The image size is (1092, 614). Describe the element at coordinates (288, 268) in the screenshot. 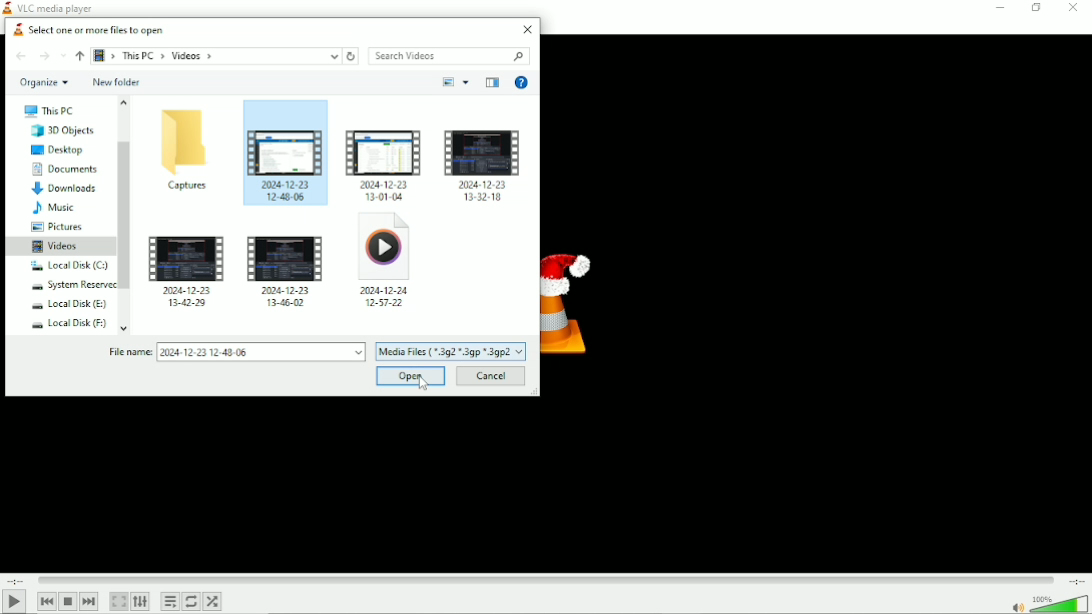

I see `video` at that location.